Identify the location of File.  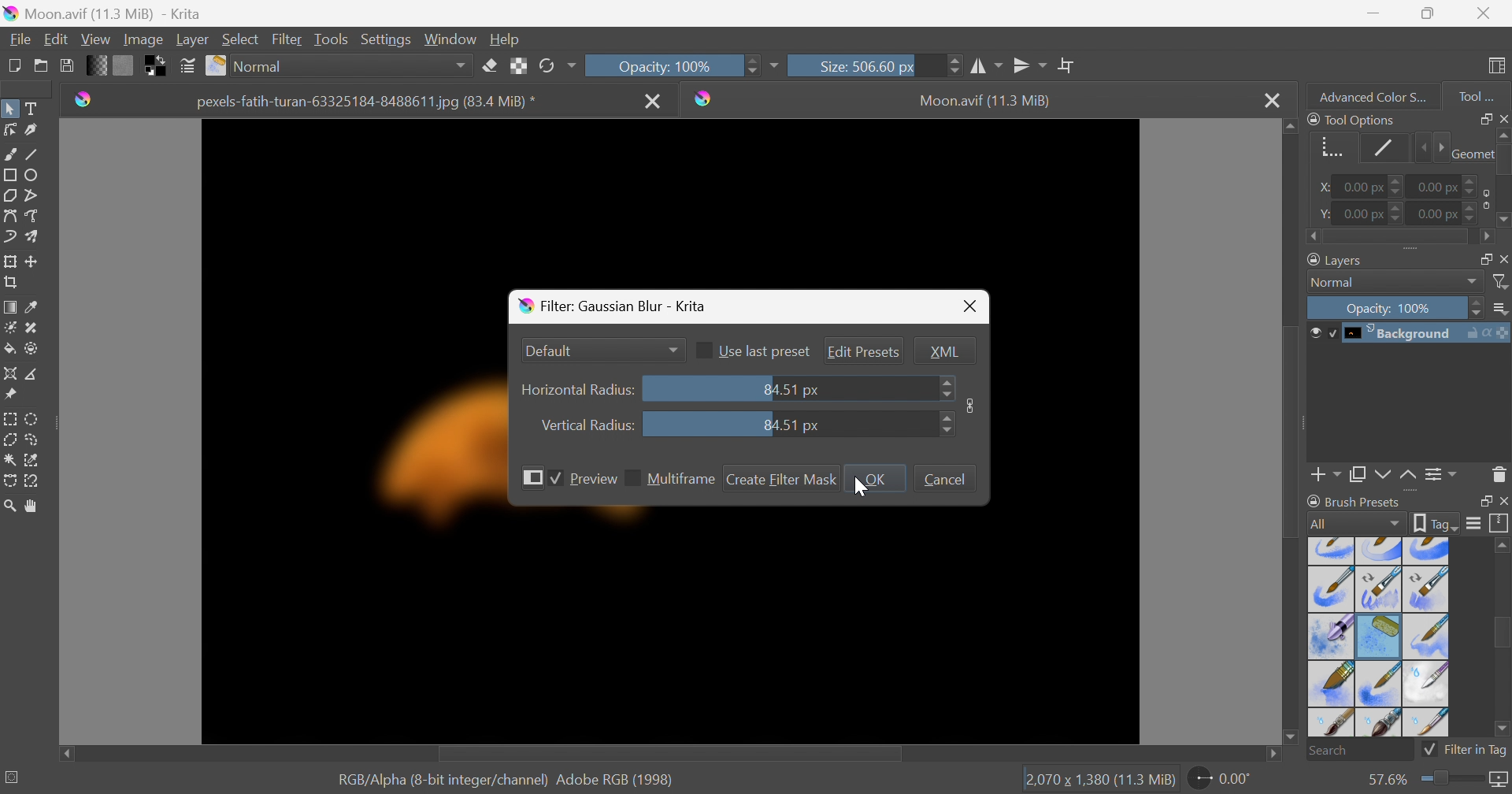
(21, 40).